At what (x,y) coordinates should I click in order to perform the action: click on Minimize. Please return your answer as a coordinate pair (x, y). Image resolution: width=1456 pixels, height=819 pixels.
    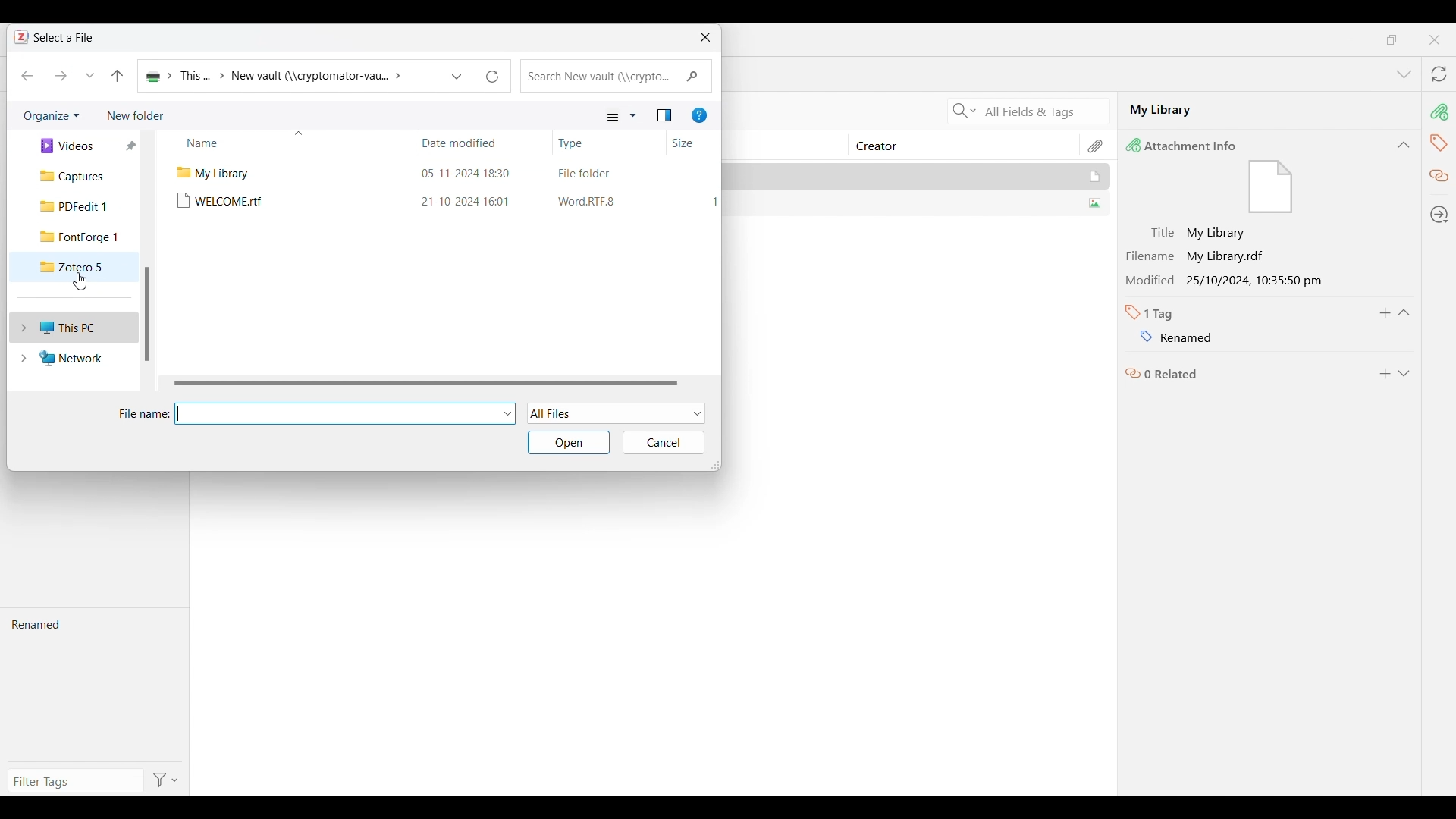
    Looking at the image, I should click on (1348, 39).